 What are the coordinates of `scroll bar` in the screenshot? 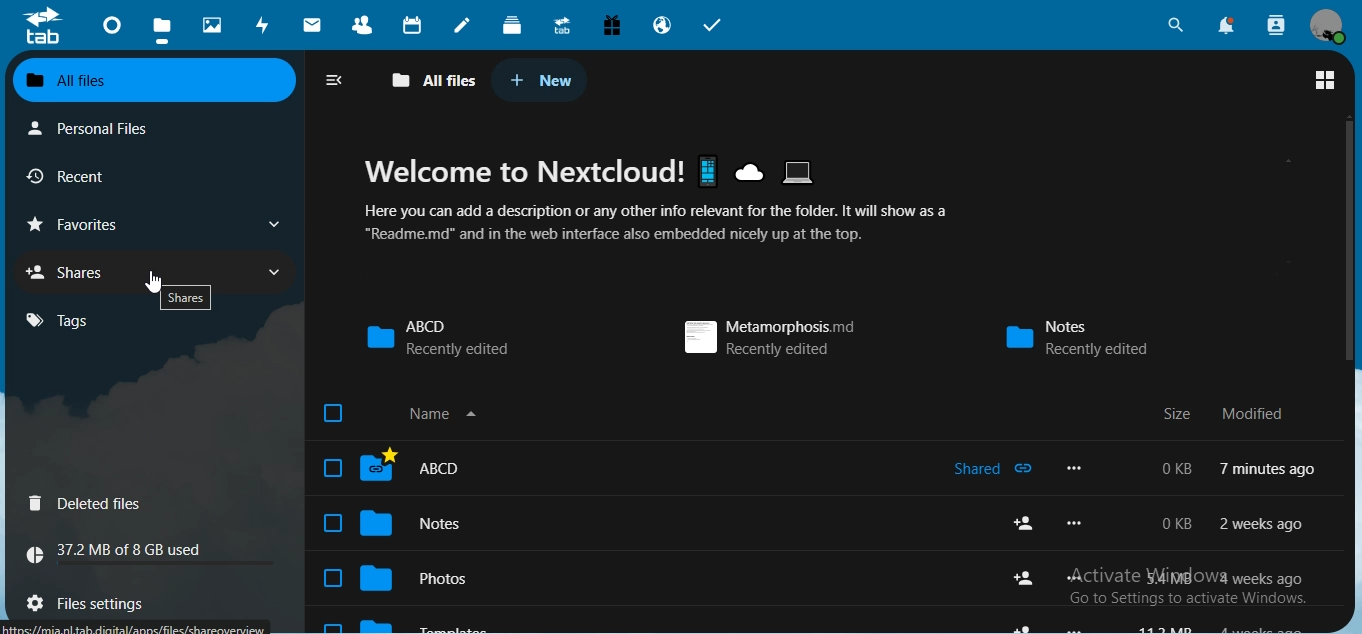 It's located at (1349, 240).